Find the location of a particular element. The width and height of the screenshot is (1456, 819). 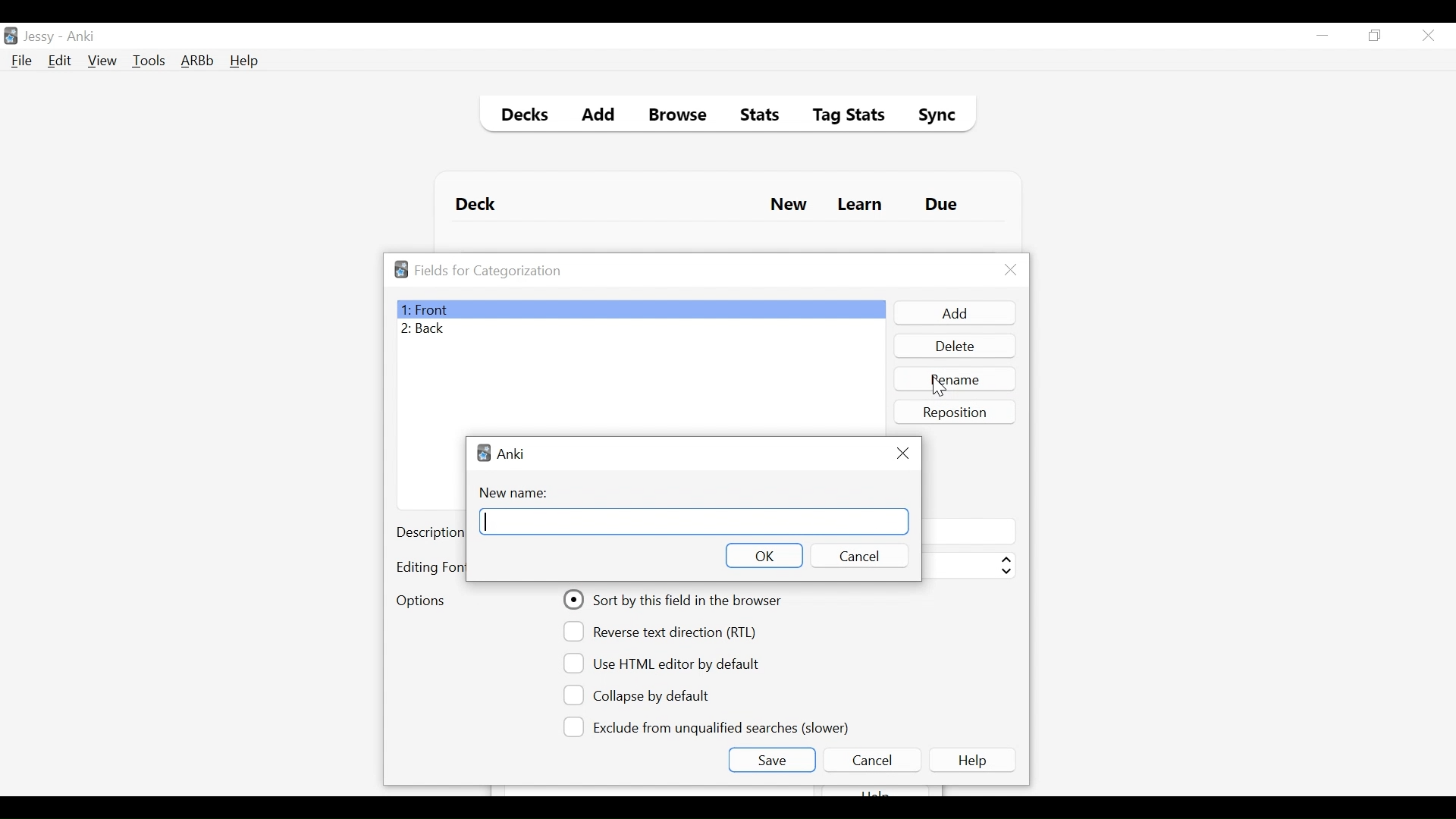

Cursor is located at coordinates (939, 387).